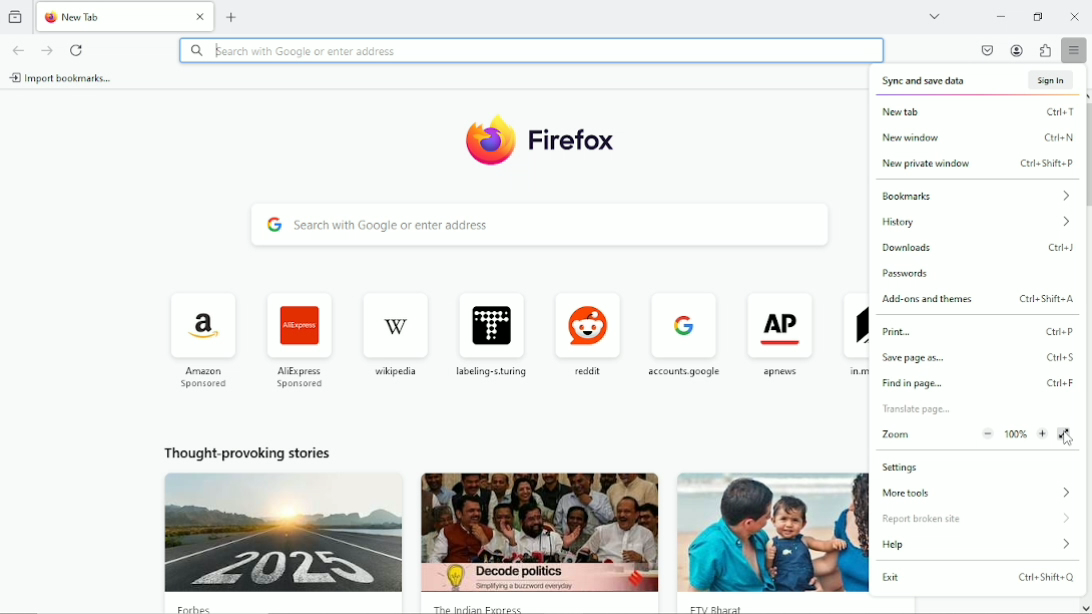 This screenshot has width=1092, height=614. Describe the element at coordinates (232, 16) in the screenshot. I see `new tab` at that location.